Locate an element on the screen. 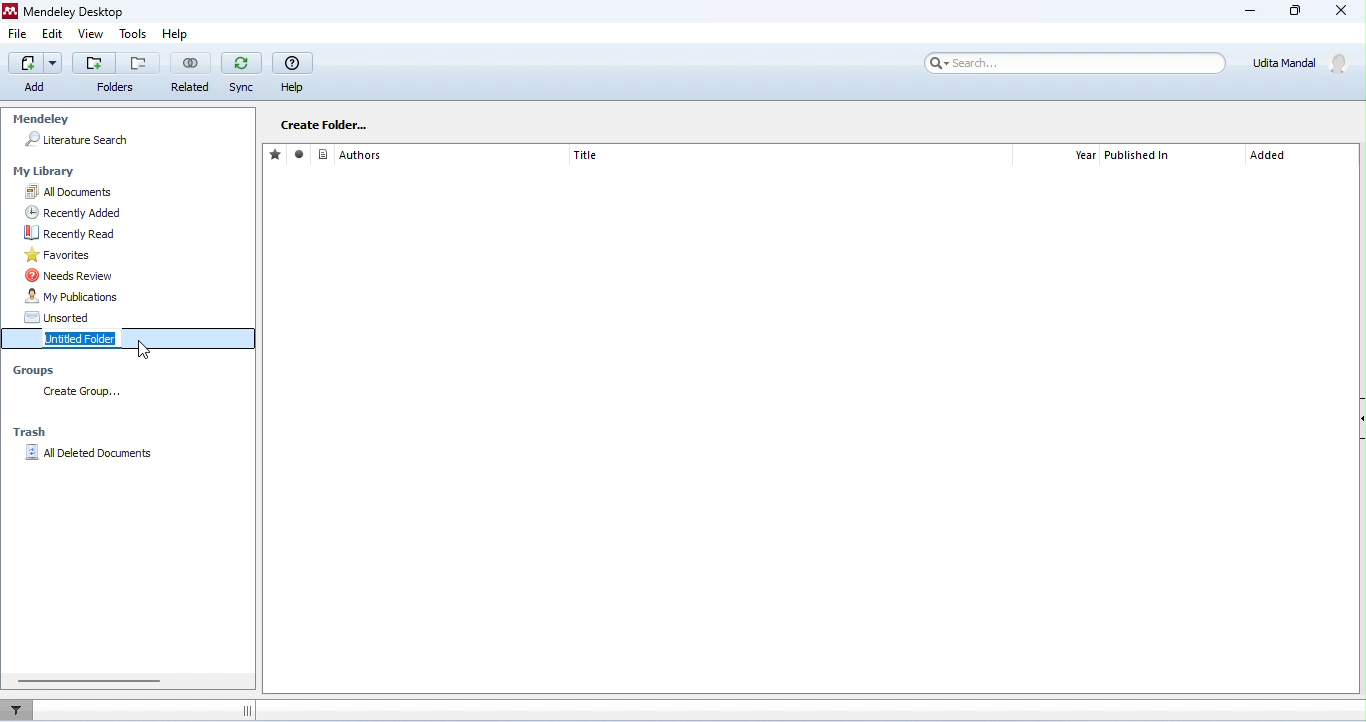 This screenshot has width=1366, height=722. edit is located at coordinates (53, 34).